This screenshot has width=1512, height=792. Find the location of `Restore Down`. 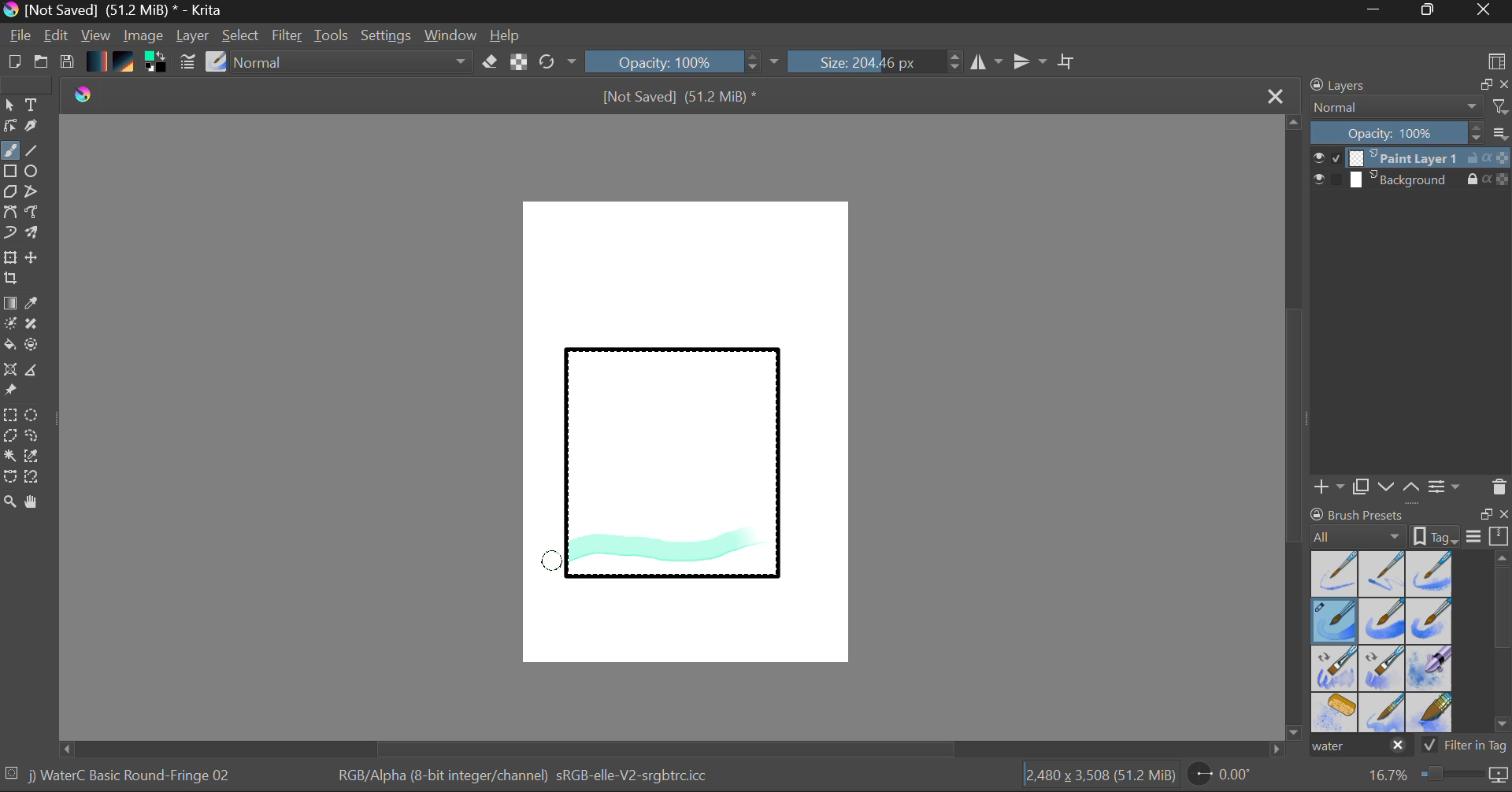

Restore Down is located at coordinates (1379, 11).